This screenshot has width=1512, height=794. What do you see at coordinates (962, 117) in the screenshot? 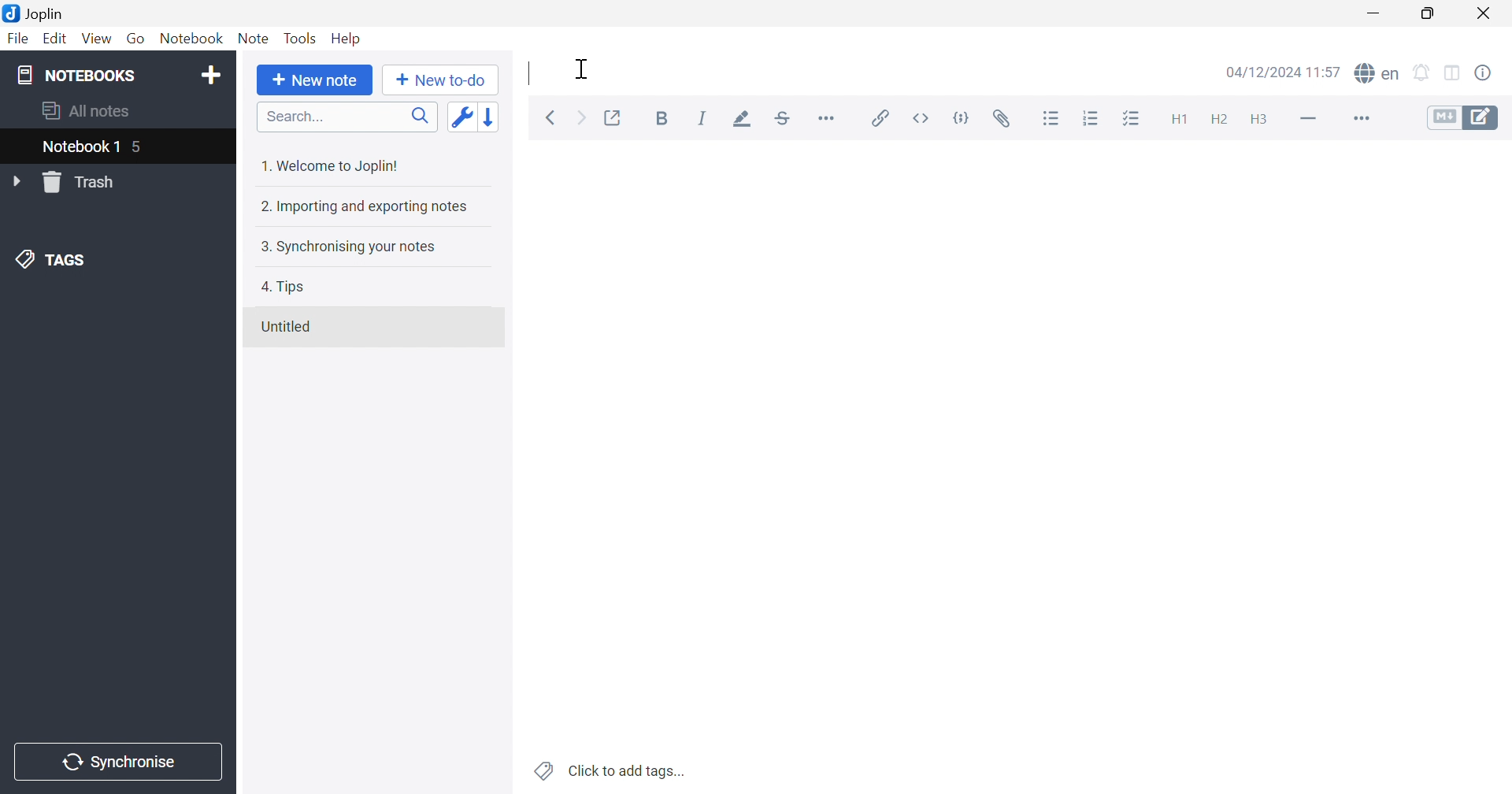
I see `Code` at bounding box center [962, 117].